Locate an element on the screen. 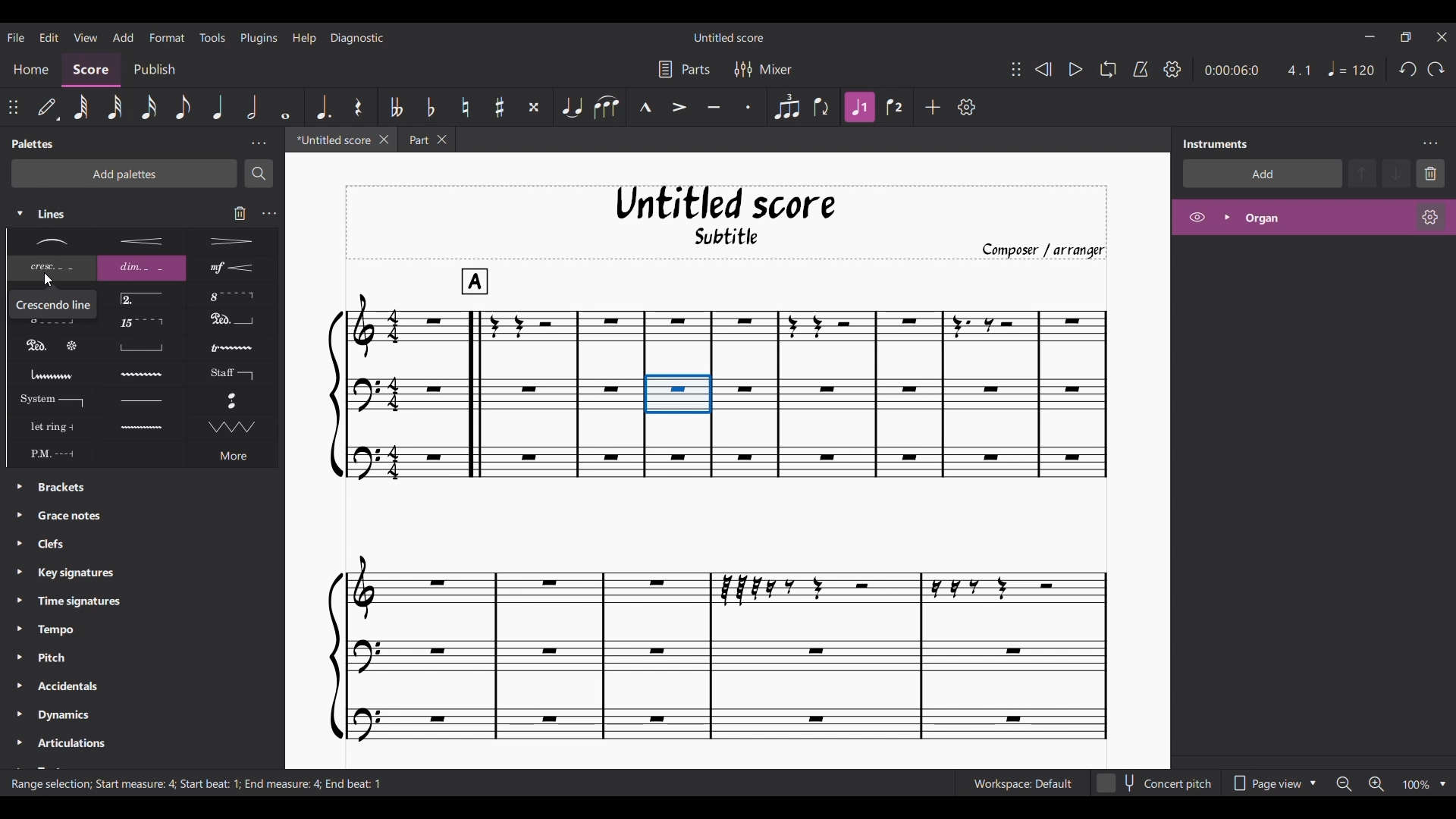  Close current tab is located at coordinates (384, 140).